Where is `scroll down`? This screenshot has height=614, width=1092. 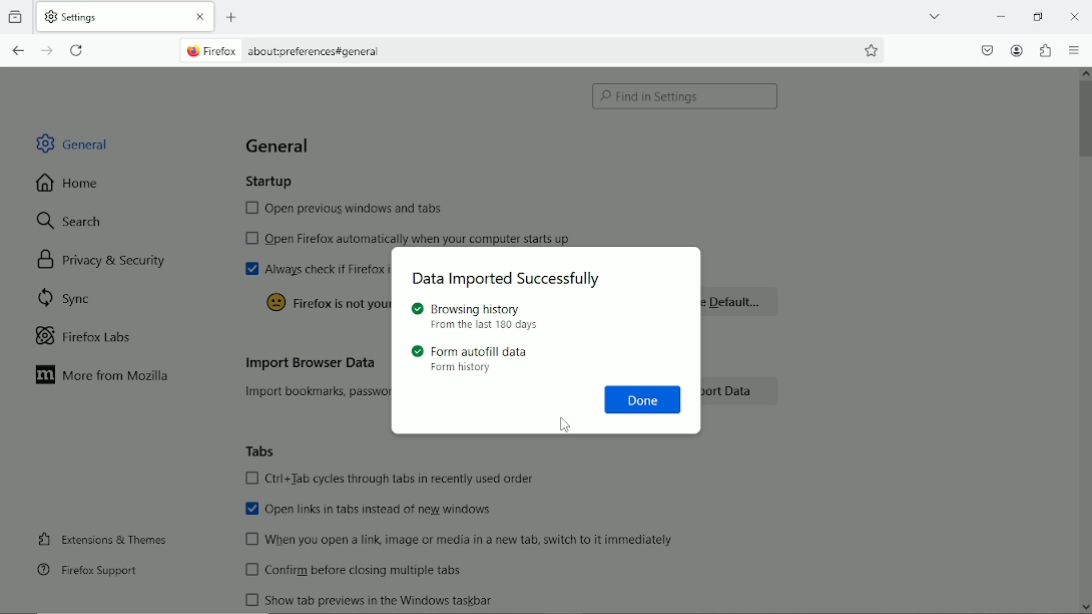 scroll down is located at coordinates (1085, 608).